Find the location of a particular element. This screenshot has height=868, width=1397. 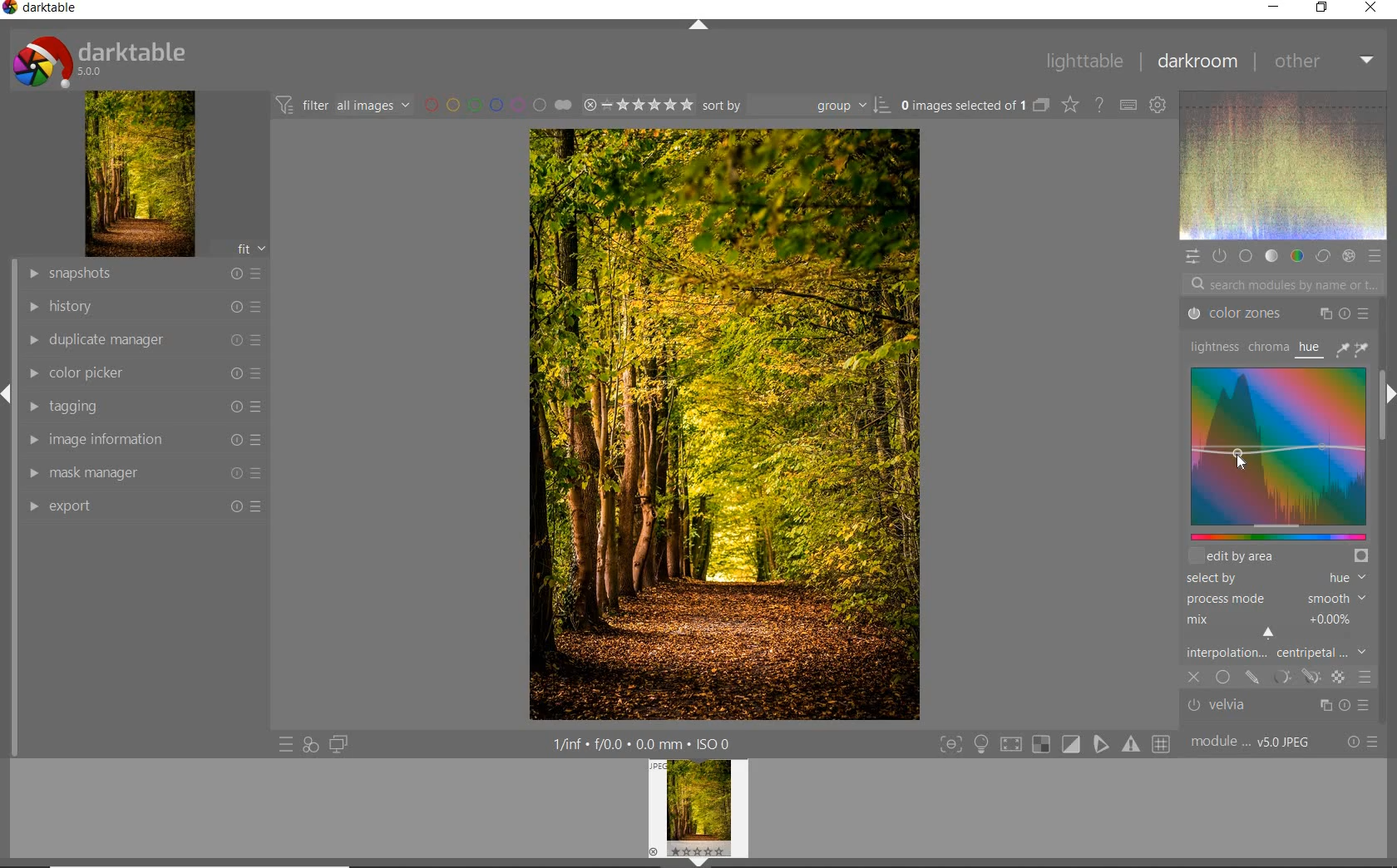

MASK MANAGER is located at coordinates (141, 475).